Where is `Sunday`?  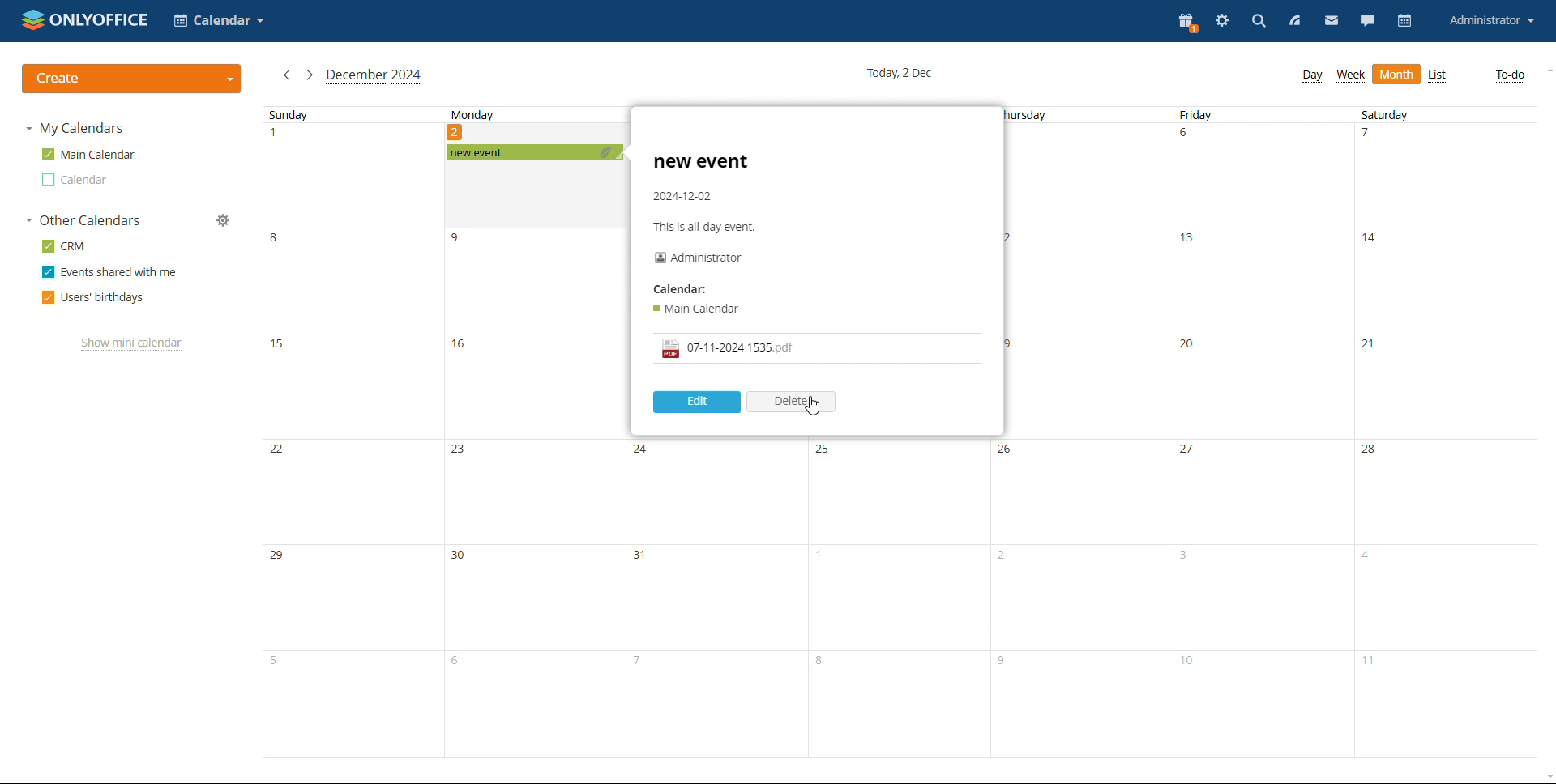 Sunday is located at coordinates (288, 115).